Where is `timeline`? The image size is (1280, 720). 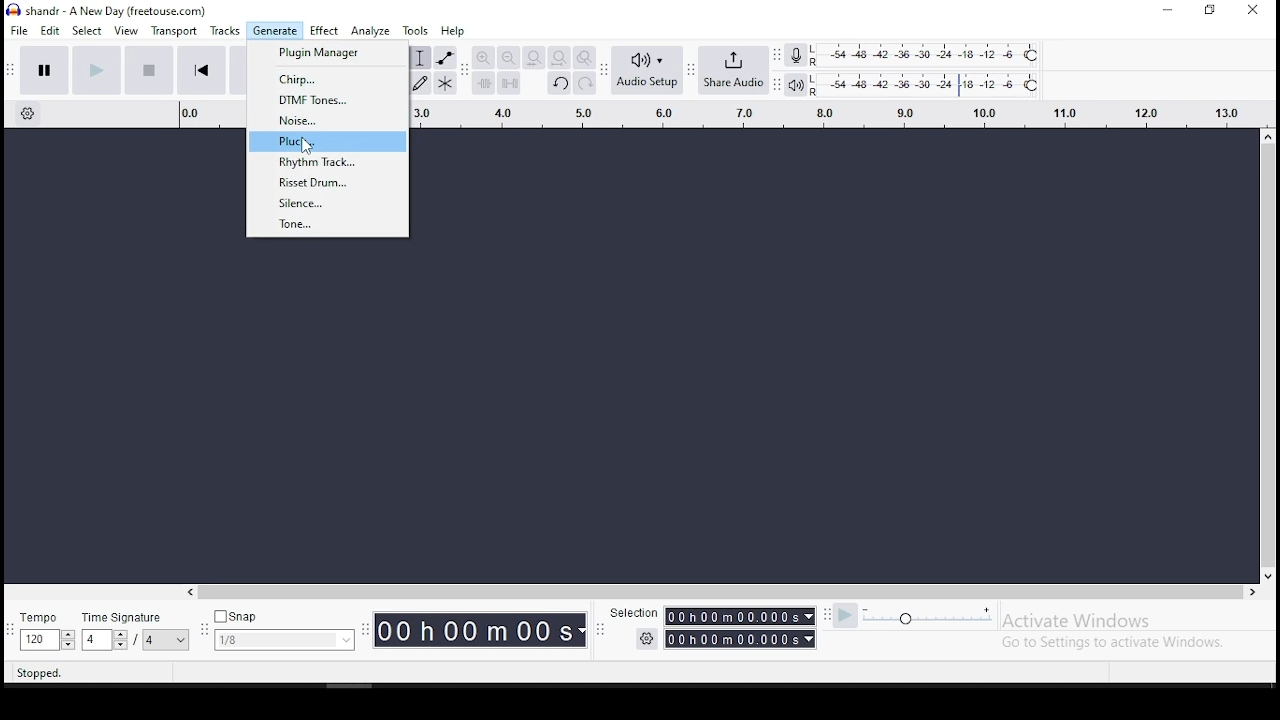 timeline is located at coordinates (831, 112).